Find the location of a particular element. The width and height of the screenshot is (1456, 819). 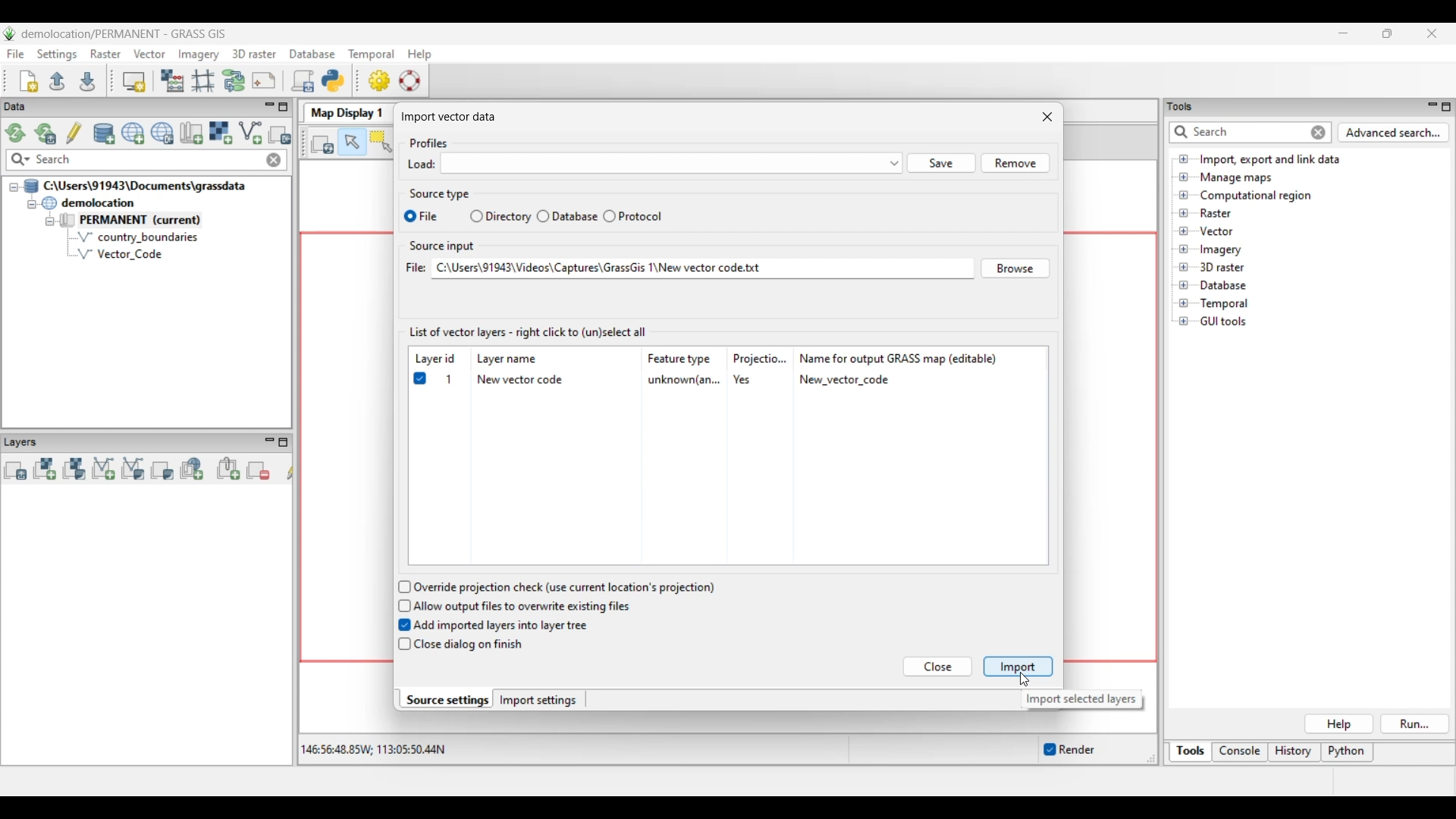

Vector Code is located at coordinates (128, 253).